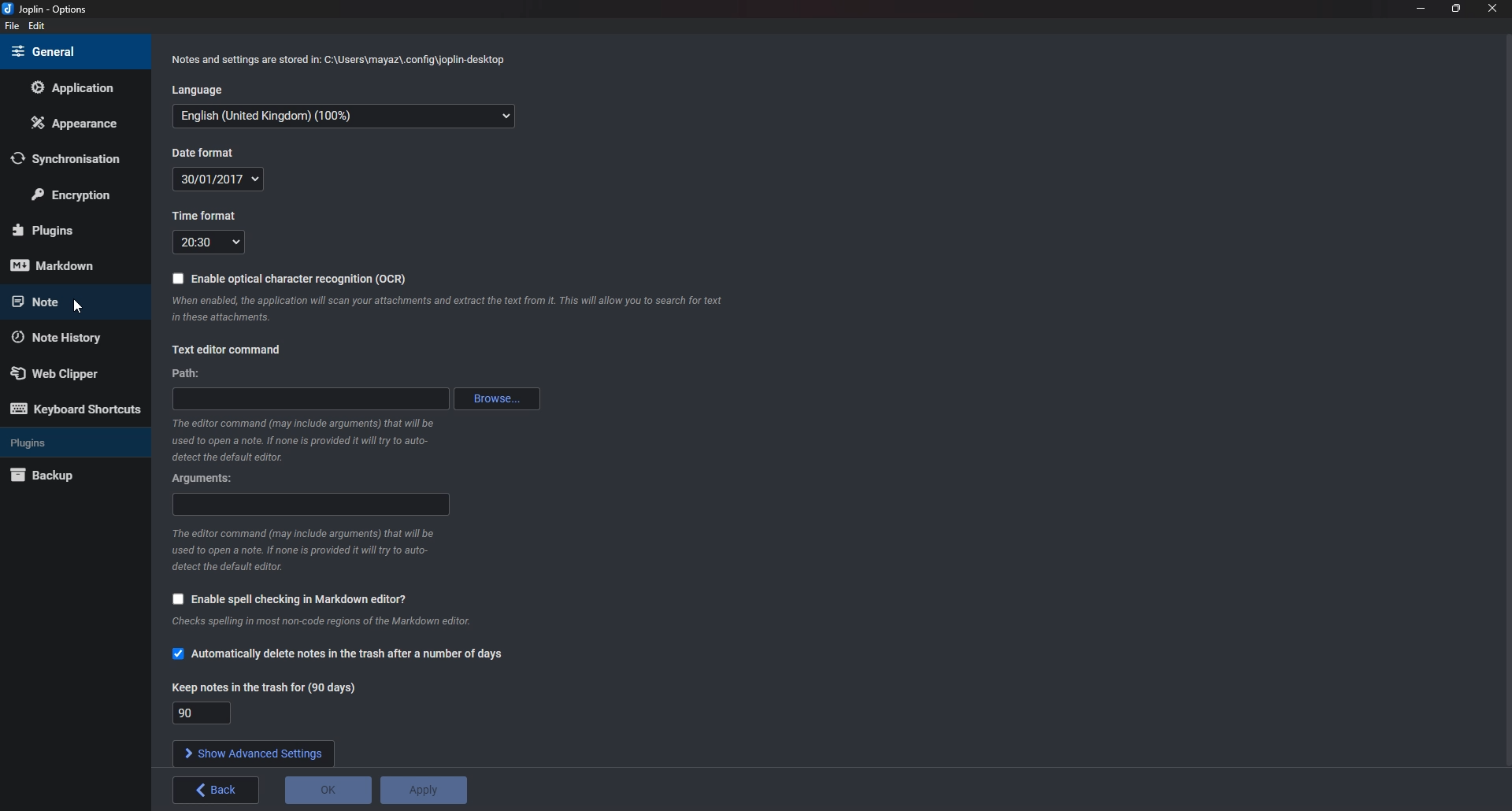  Describe the element at coordinates (69, 265) in the screenshot. I see `Mark down` at that location.